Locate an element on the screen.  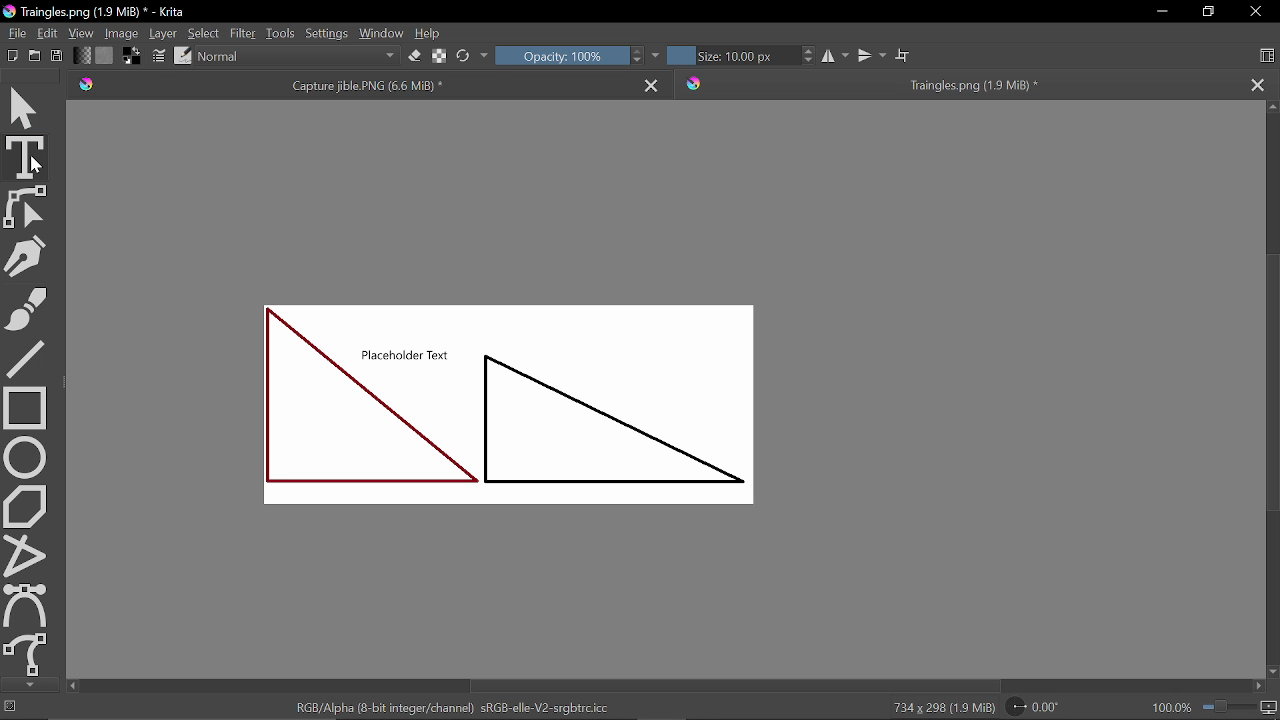
New document is located at coordinates (10, 54).